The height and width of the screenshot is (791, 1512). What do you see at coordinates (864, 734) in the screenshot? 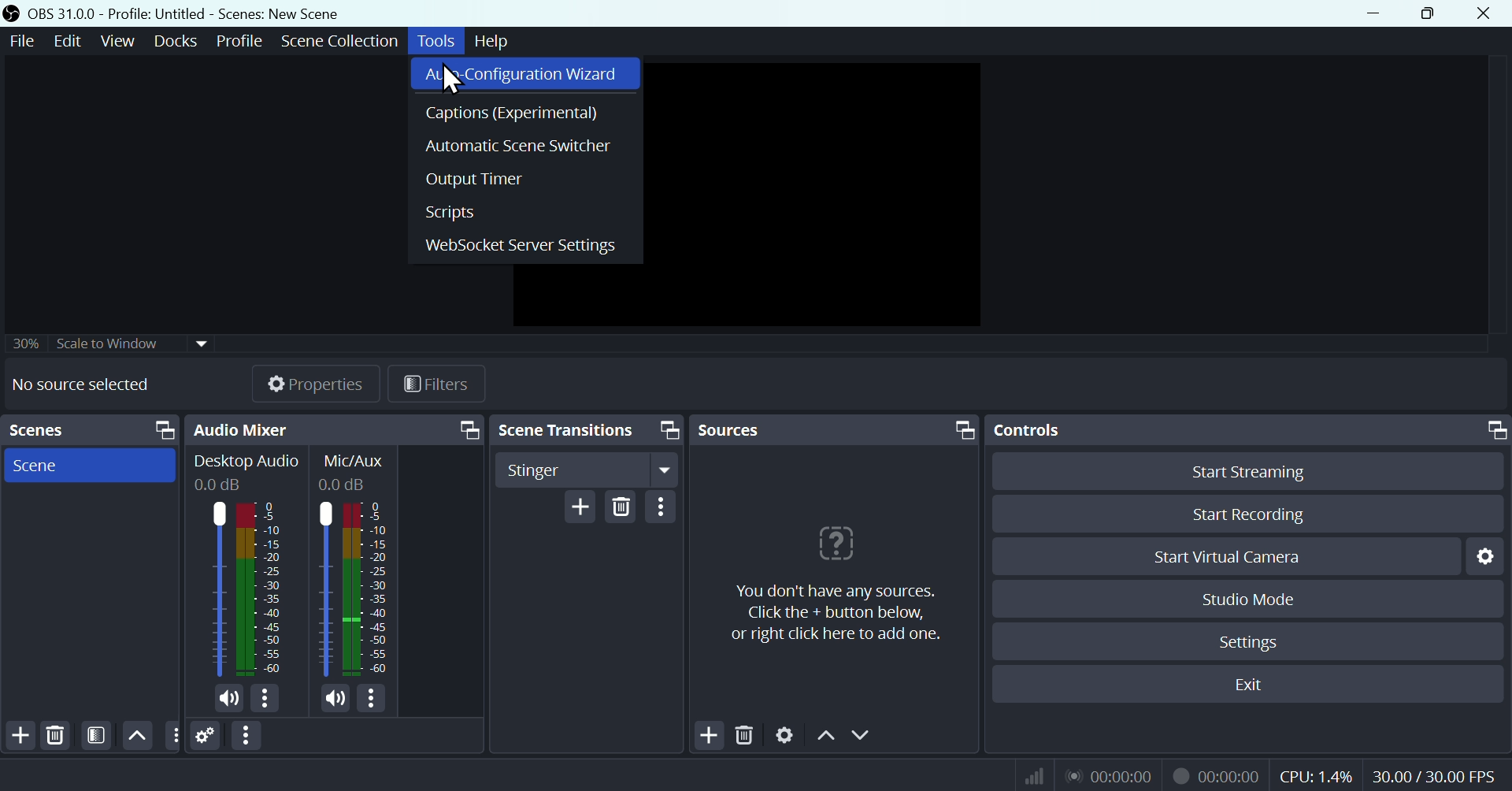
I see `Down` at bounding box center [864, 734].